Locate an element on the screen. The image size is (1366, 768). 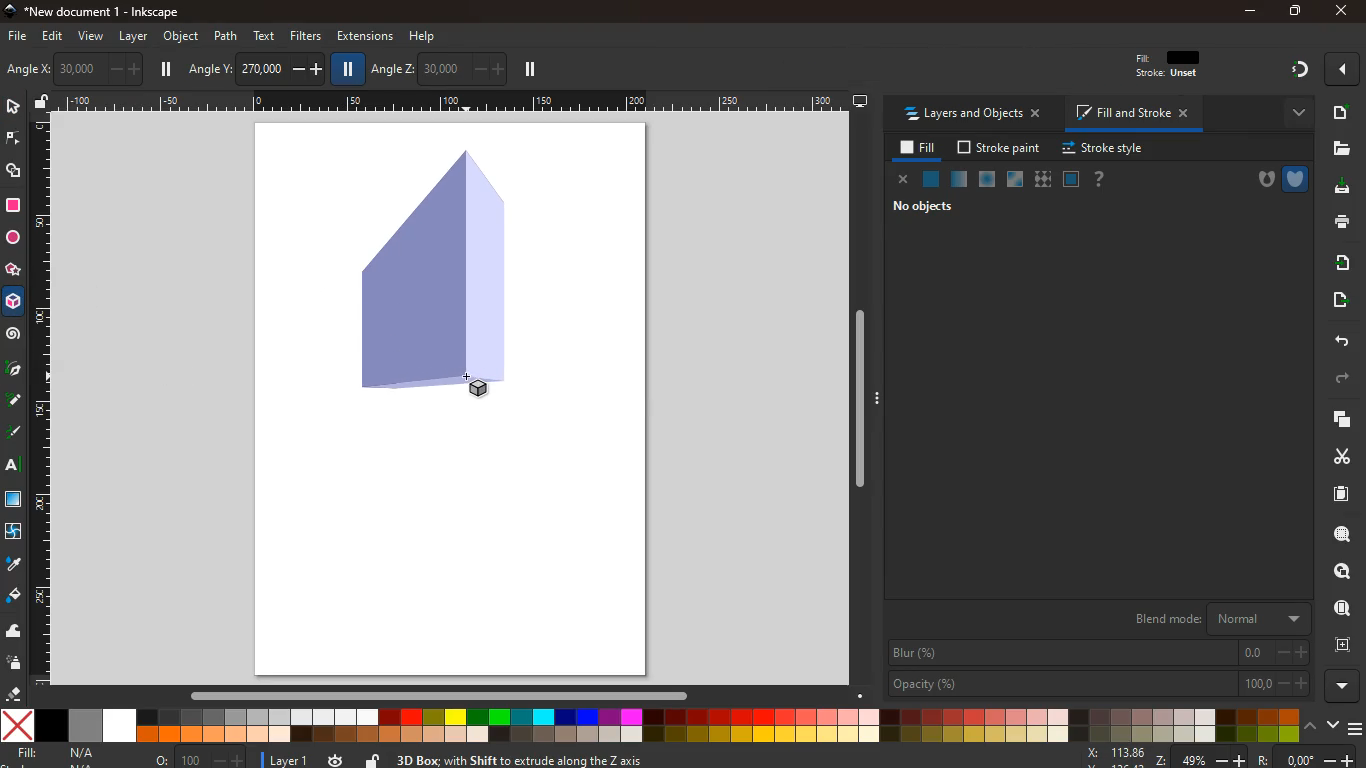
Scrollbar is located at coordinates (438, 693).